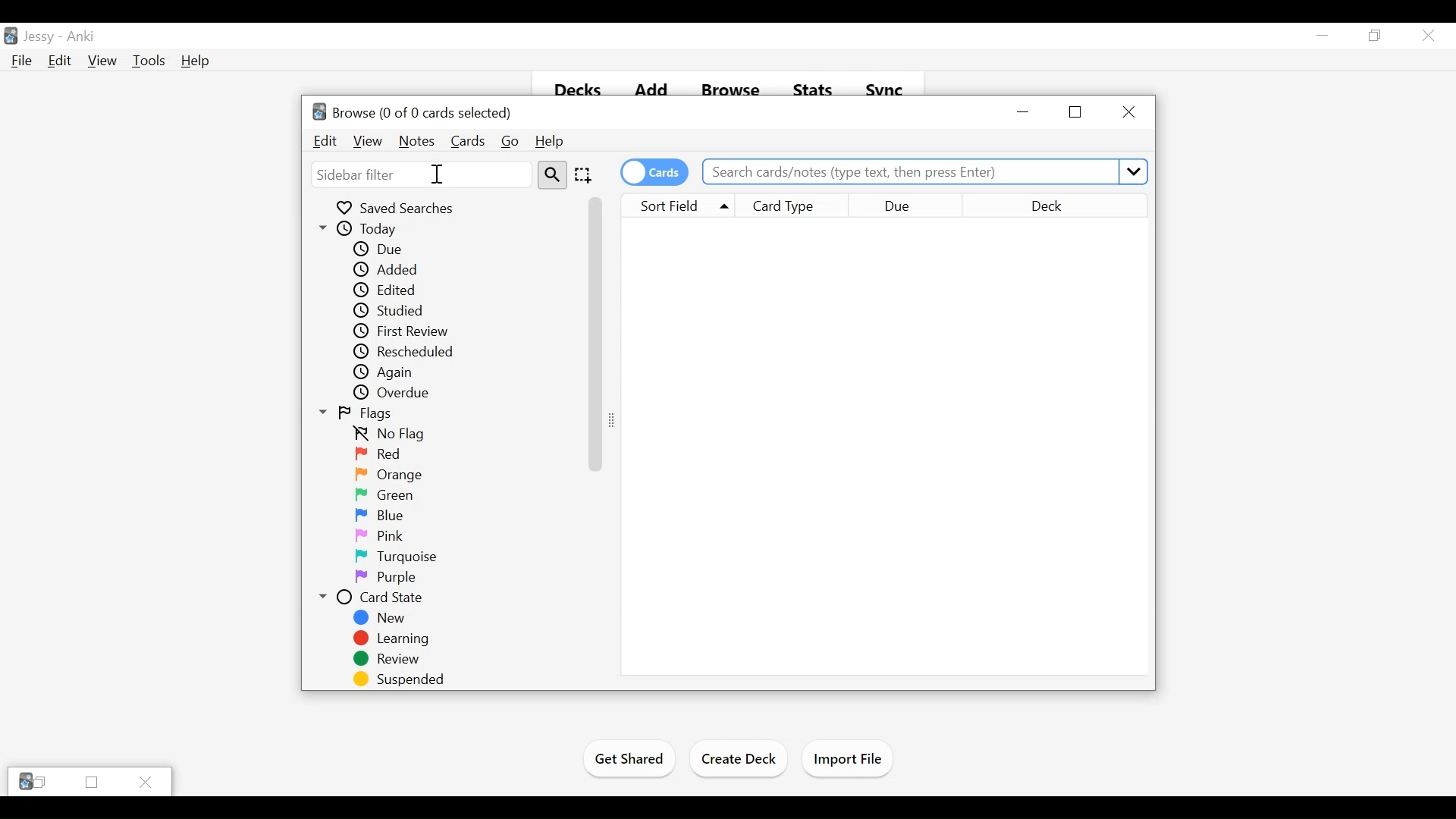  Describe the element at coordinates (366, 141) in the screenshot. I see `View` at that location.